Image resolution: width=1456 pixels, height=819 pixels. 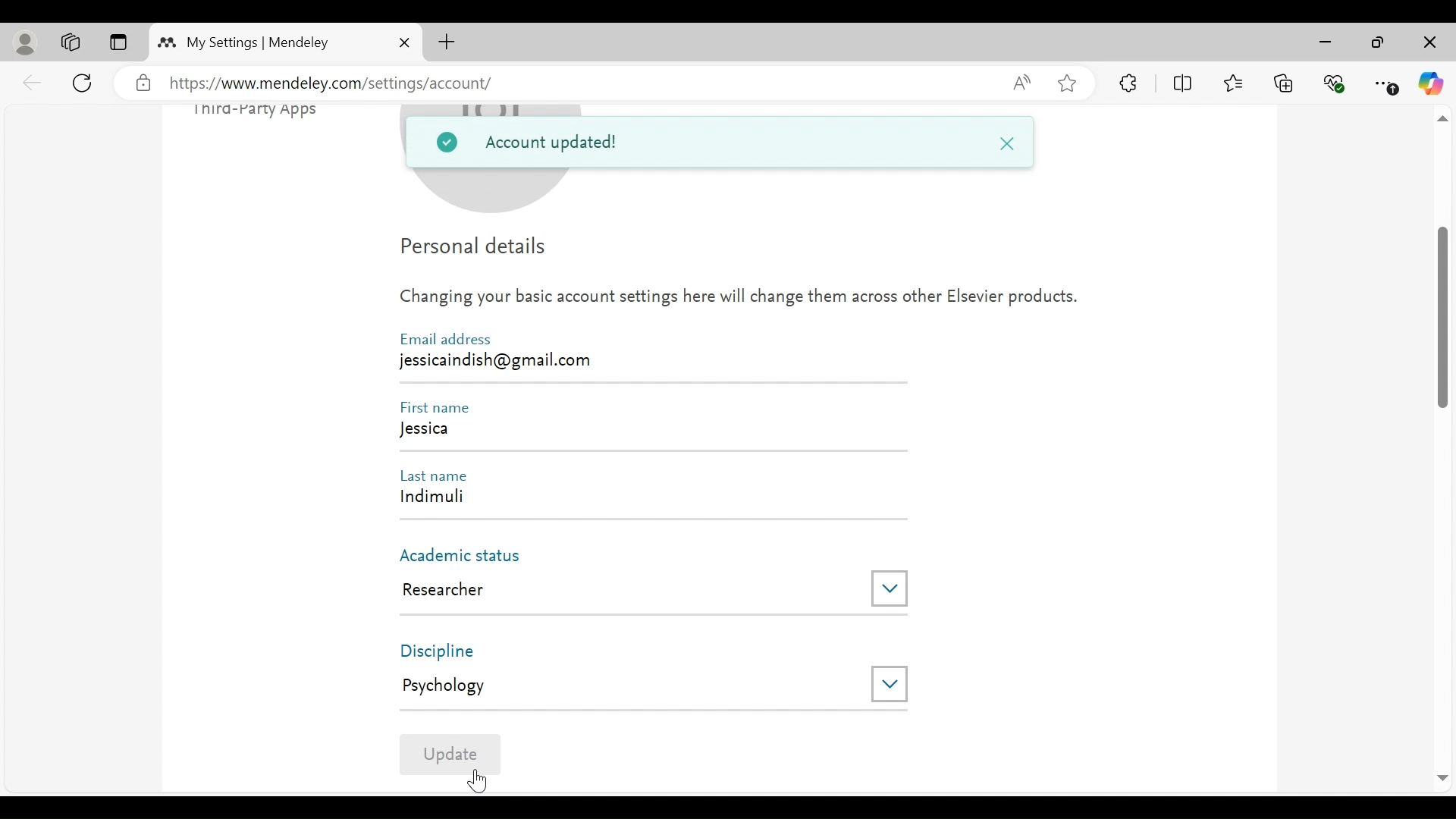 I want to click on Psychology, so click(x=623, y=685).